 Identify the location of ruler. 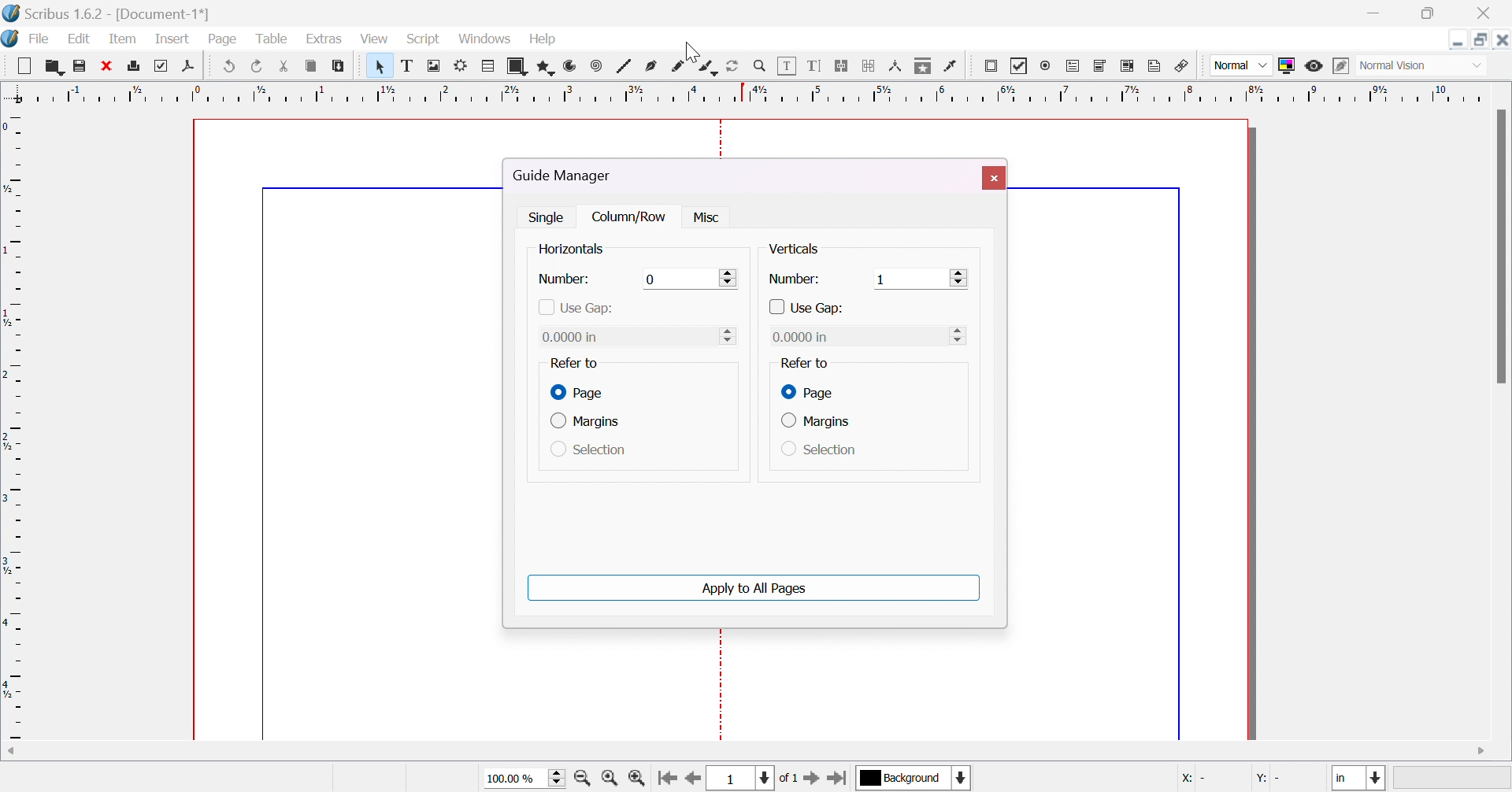
(13, 423).